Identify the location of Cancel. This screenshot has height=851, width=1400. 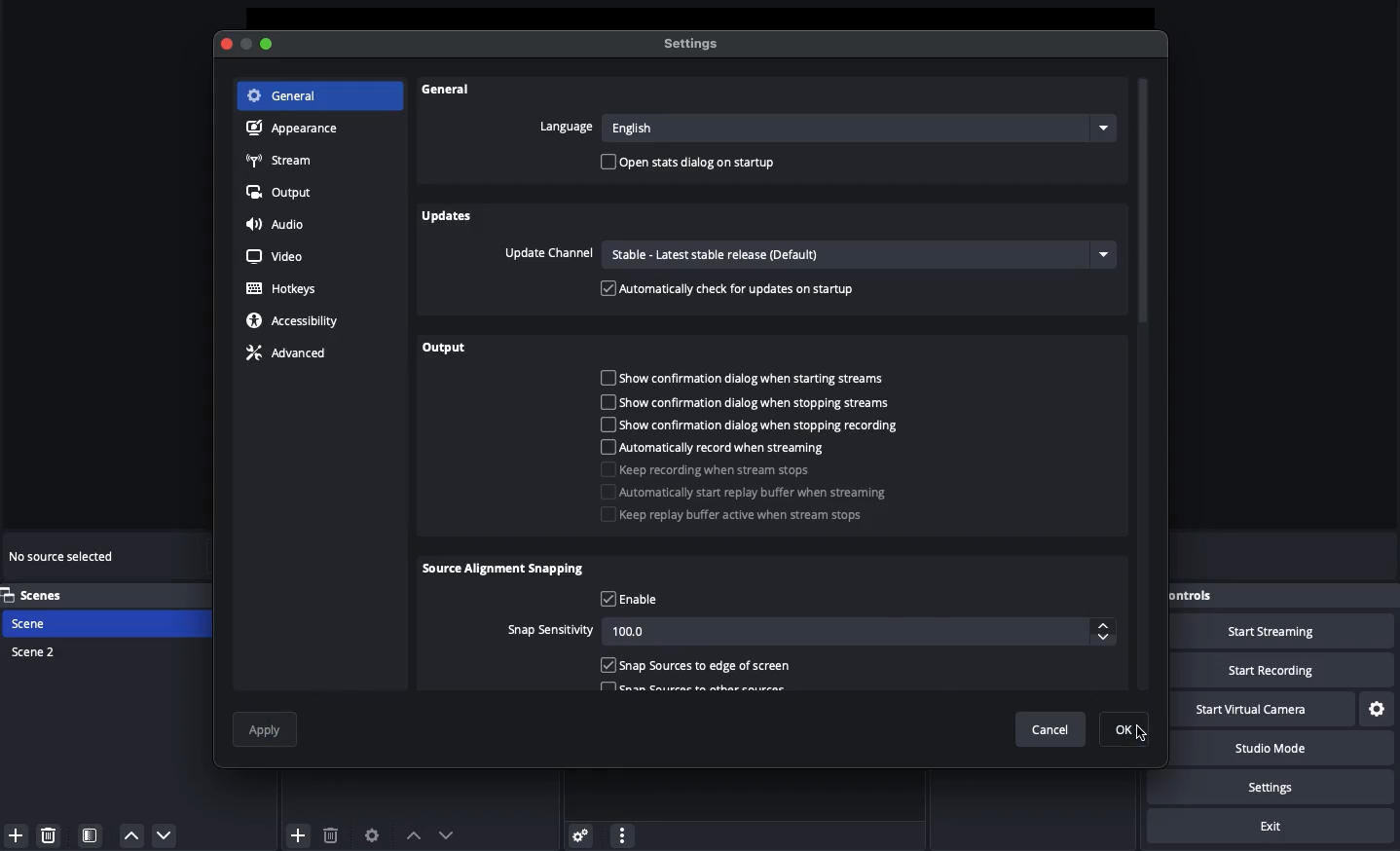
(1050, 730).